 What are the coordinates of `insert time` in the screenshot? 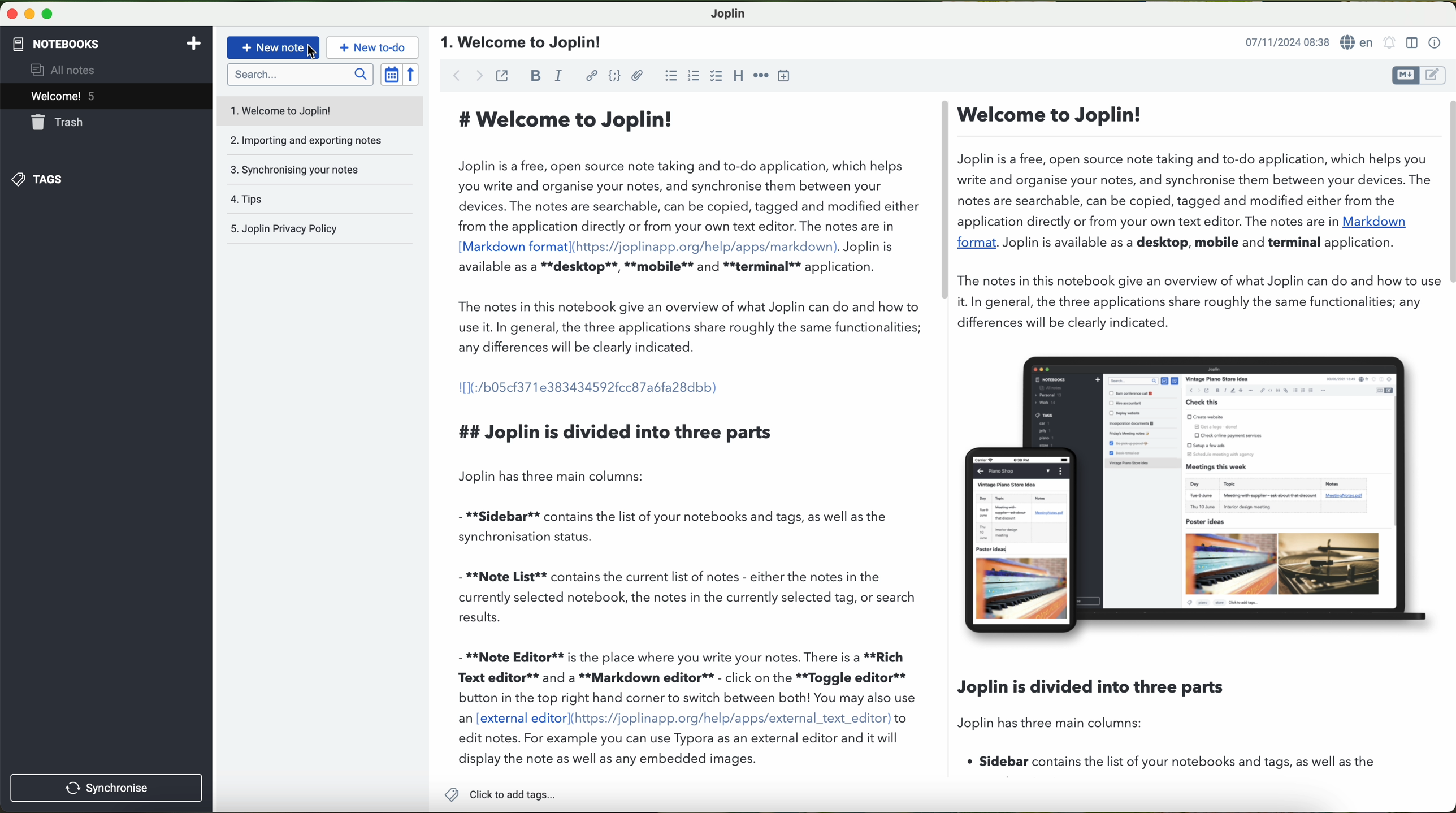 It's located at (784, 76).